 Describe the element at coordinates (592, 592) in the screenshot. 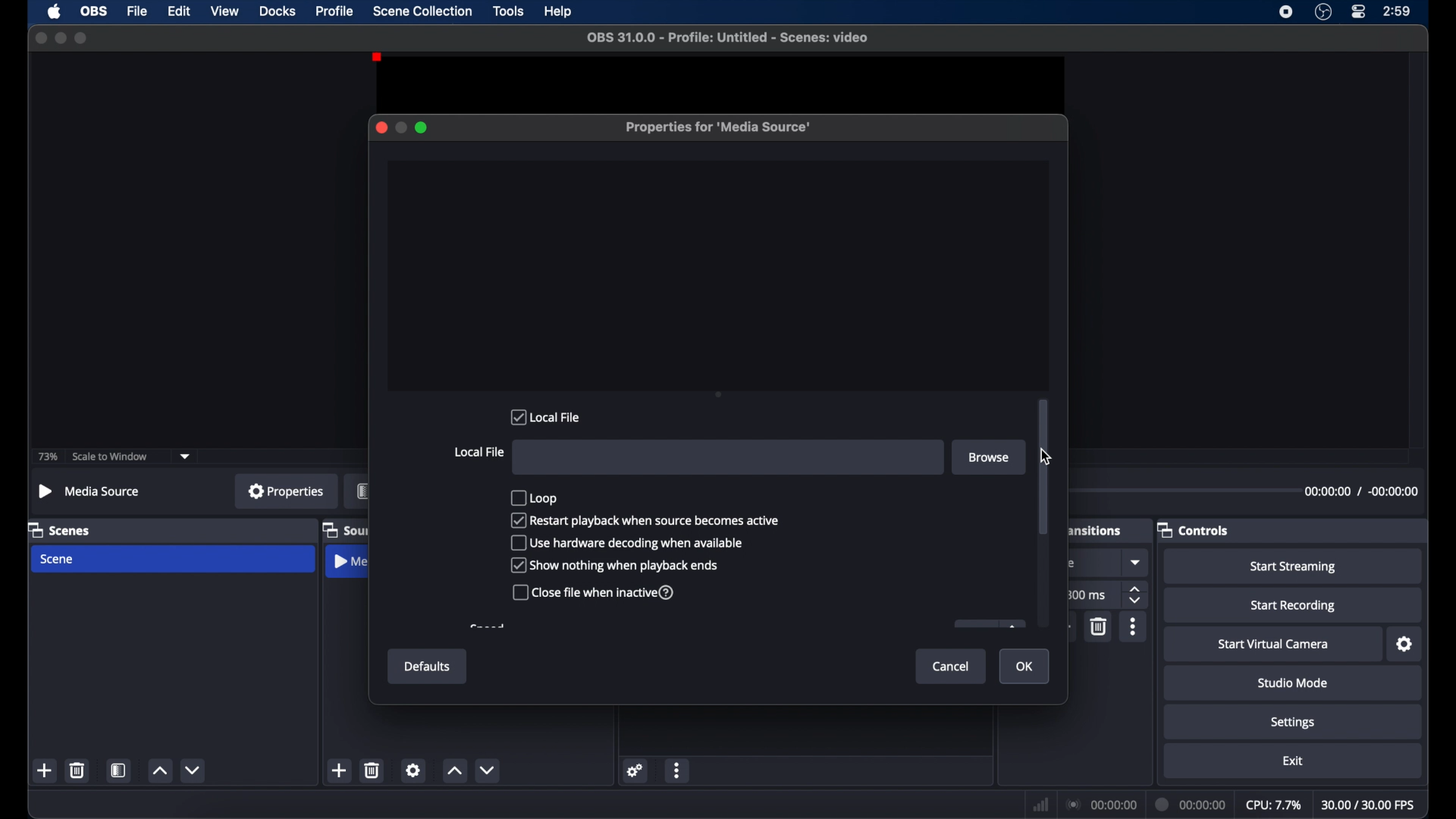

I see `close file when inactive` at that location.